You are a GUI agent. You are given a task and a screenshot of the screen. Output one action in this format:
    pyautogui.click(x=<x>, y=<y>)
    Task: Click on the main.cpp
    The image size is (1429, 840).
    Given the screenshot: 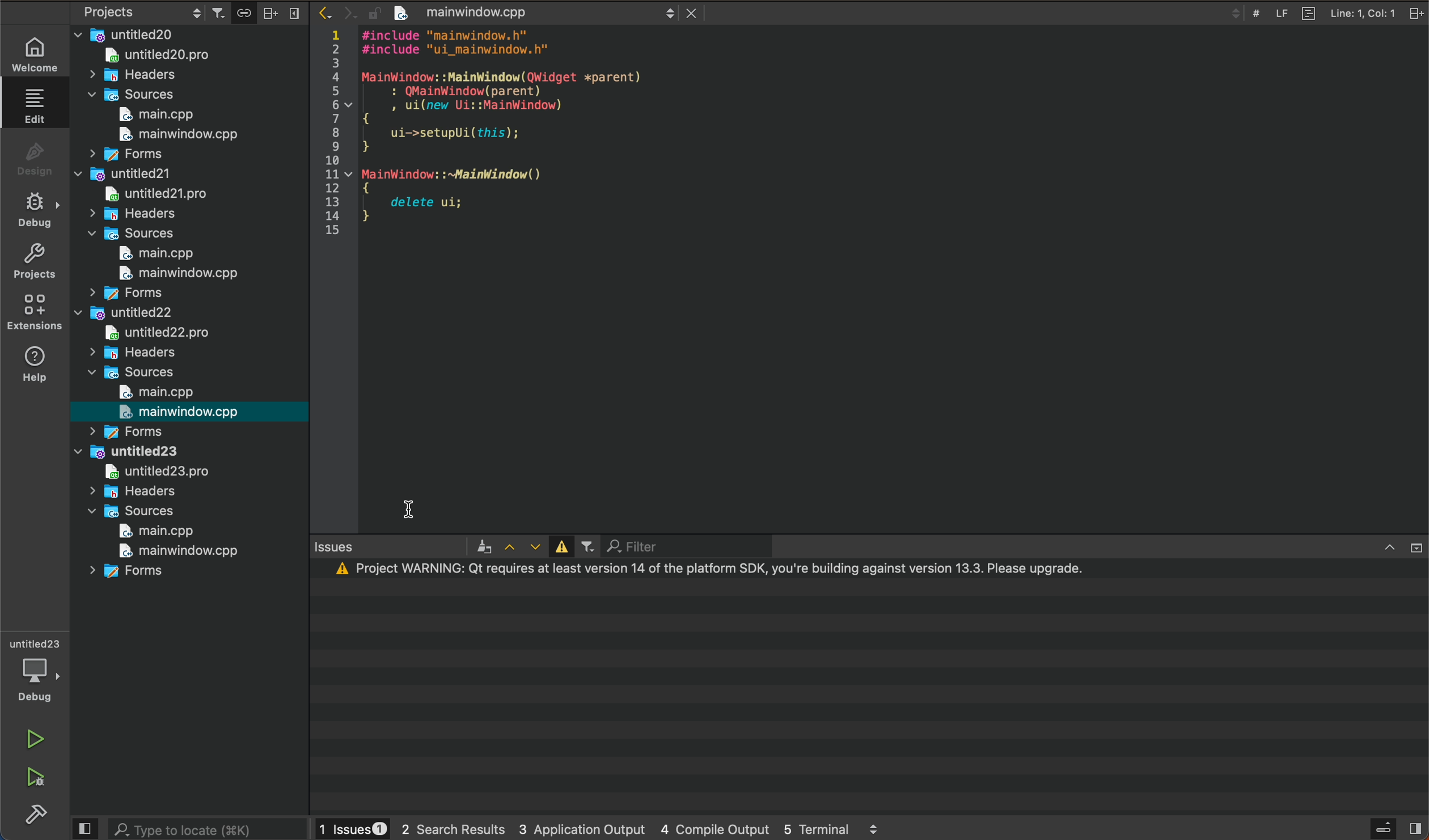 What is the action you would take?
    pyautogui.click(x=153, y=393)
    